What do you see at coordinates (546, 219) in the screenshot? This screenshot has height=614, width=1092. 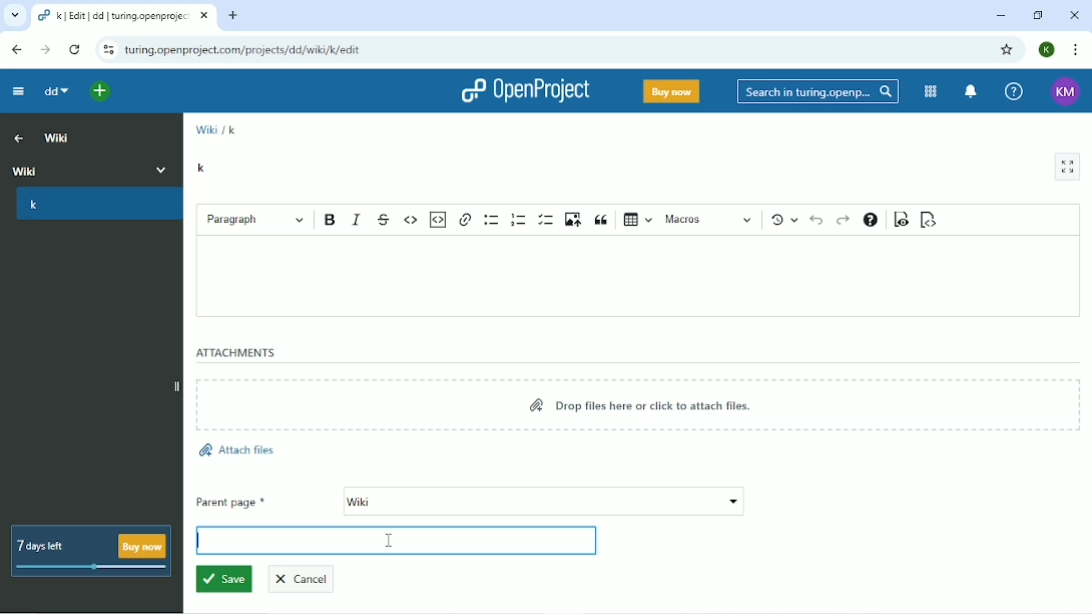 I see `To-do list` at bounding box center [546, 219].